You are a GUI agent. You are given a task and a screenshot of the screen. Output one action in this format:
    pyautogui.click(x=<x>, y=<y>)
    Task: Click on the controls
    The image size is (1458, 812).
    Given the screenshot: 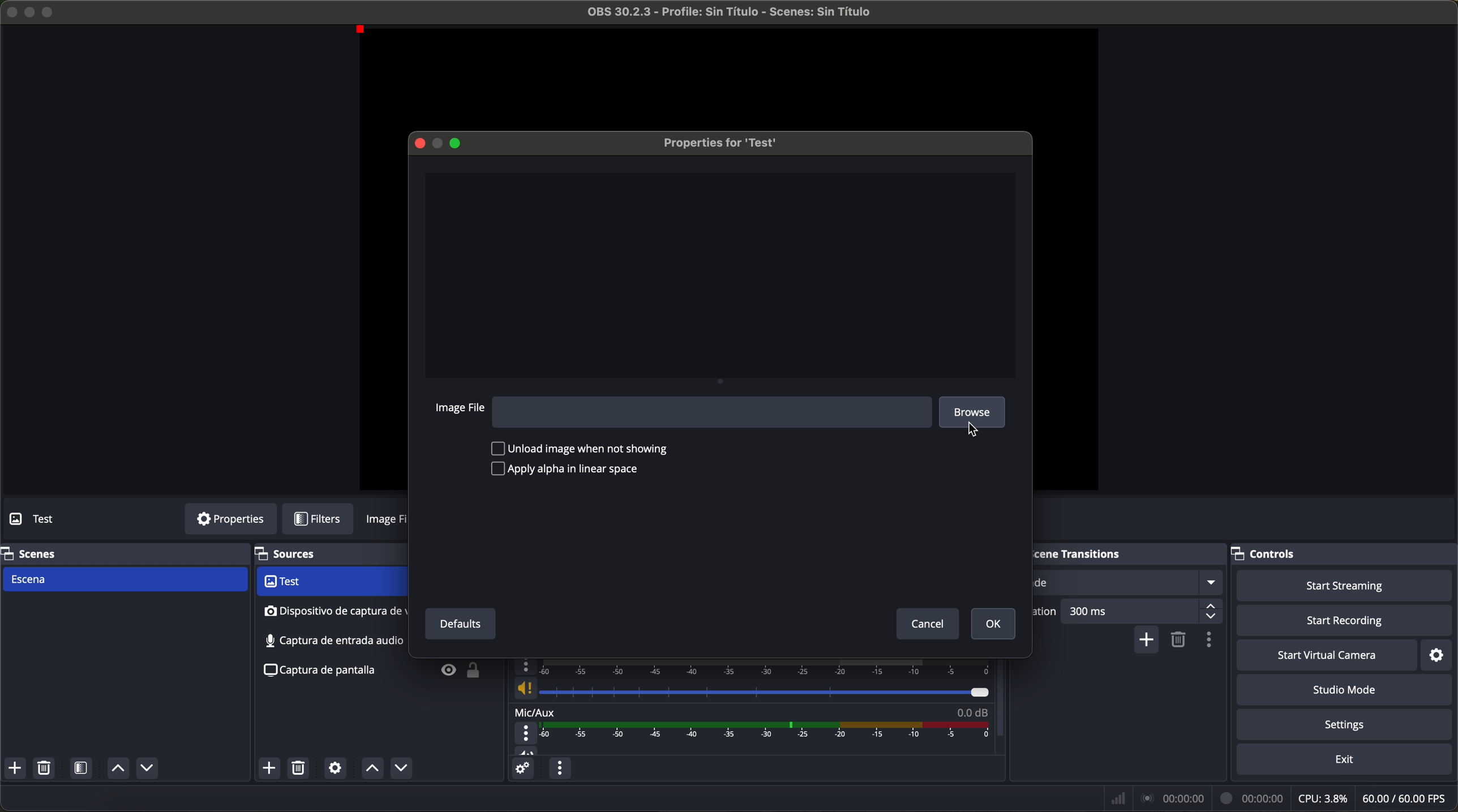 What is the action you would take?
    pyautogui.click(x=1274, y=551)
    